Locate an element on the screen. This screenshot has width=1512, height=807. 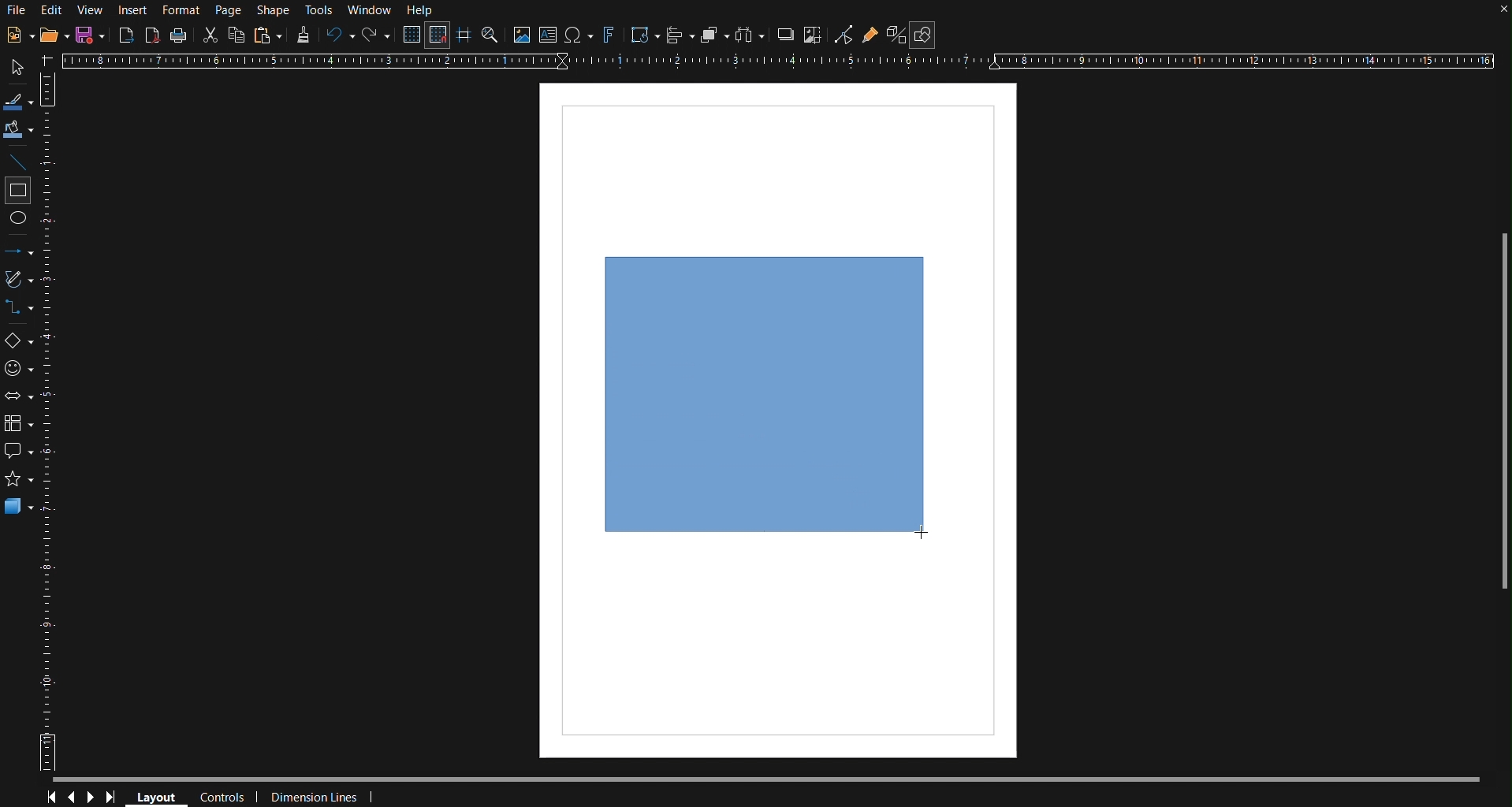
New is located at coordinates (19, 34).